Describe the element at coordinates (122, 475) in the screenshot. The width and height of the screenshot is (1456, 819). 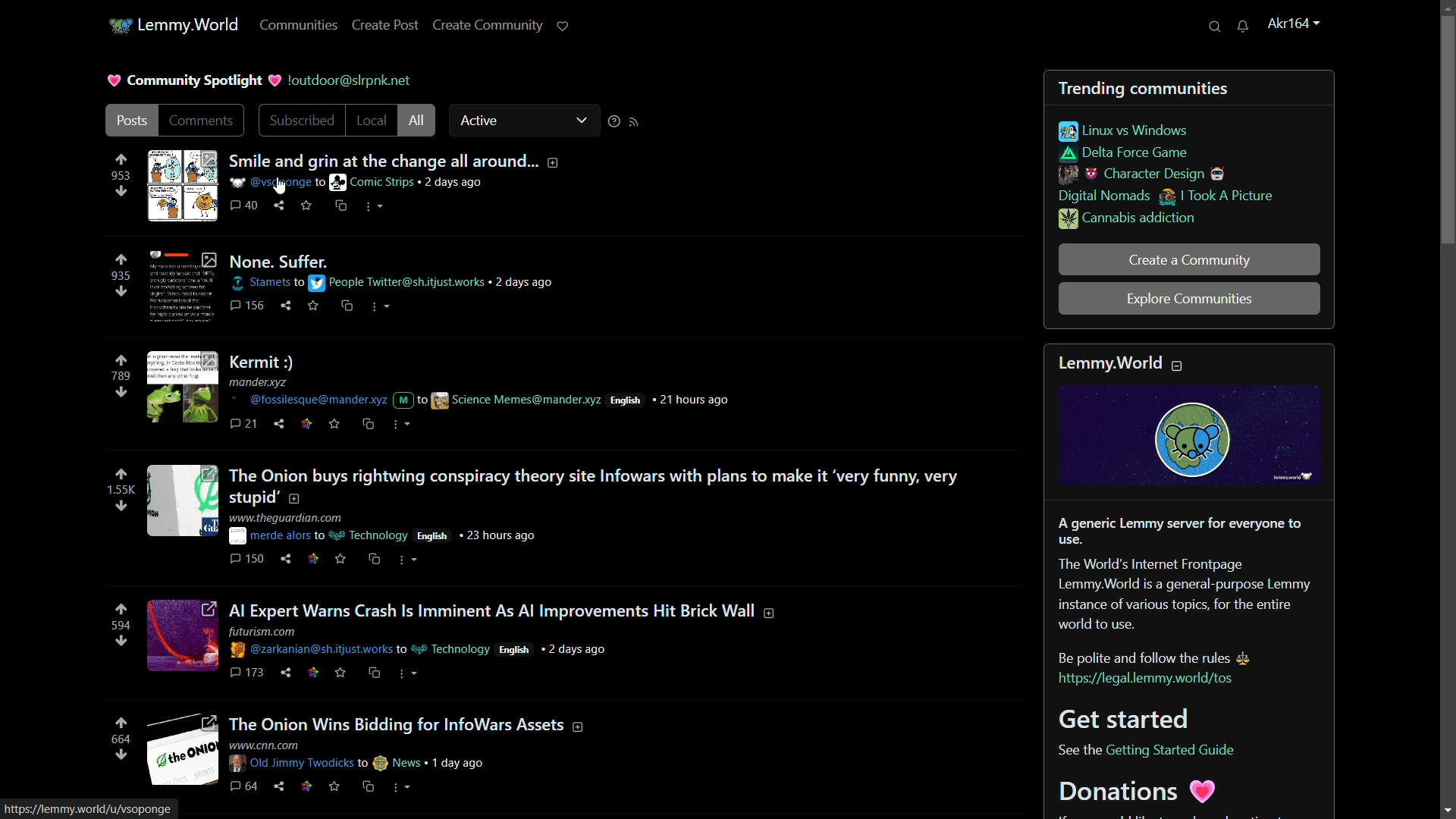
I see `upvote` at that location.